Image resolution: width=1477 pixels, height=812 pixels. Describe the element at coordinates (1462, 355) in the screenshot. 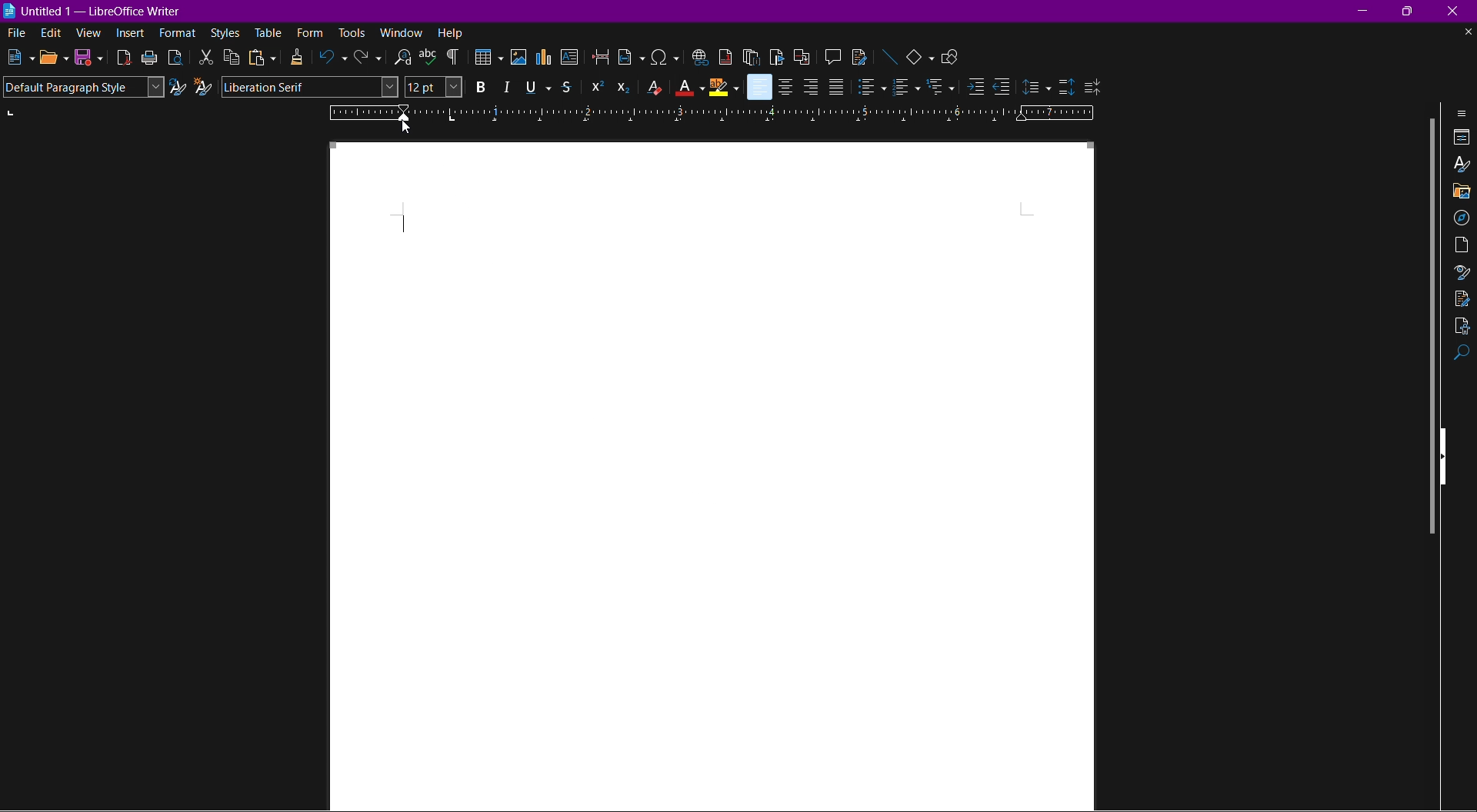

I see `Find` at that location.